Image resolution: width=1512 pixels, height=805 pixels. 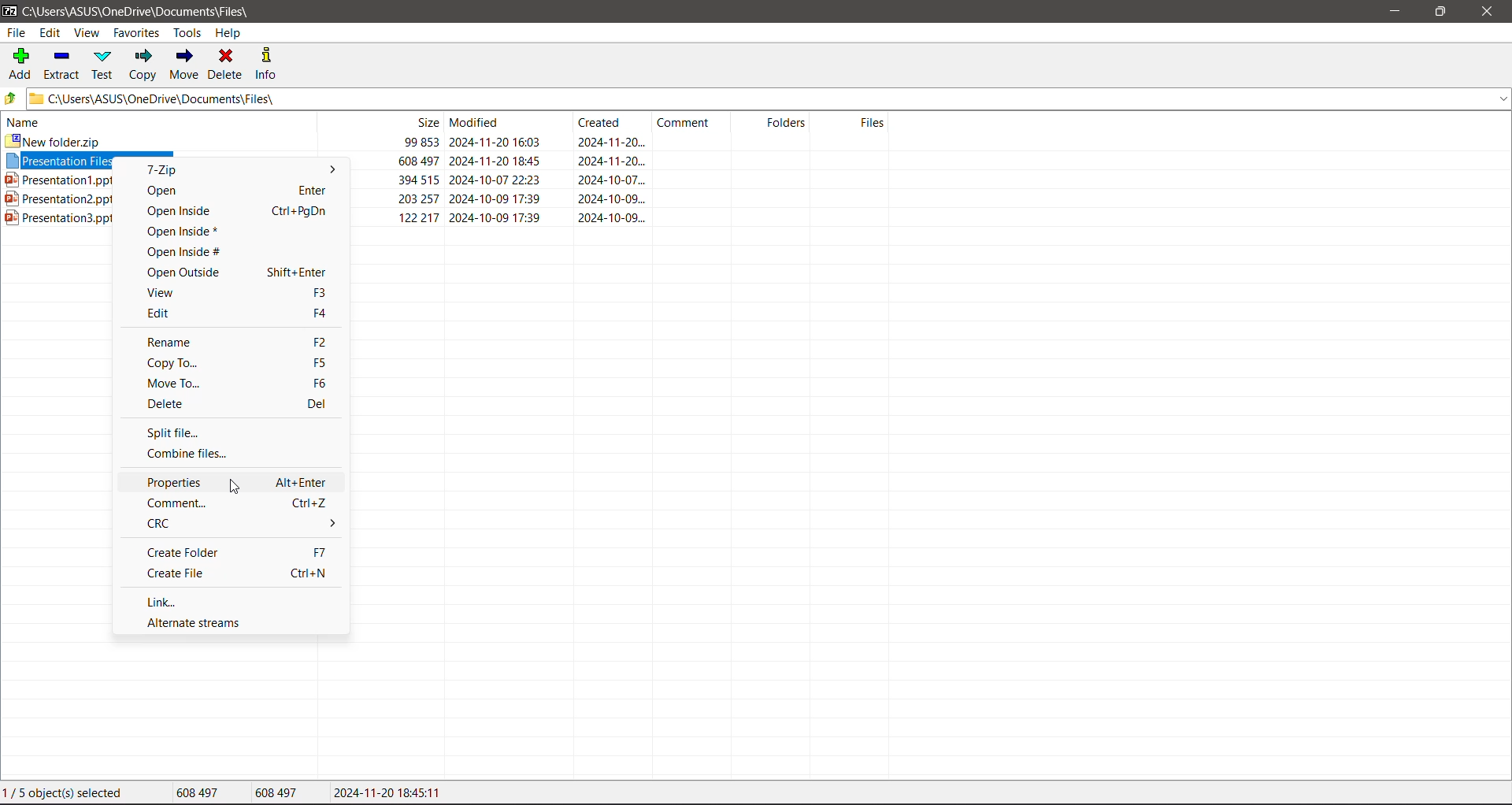 I want to click on File, so click(x=15, y=32).